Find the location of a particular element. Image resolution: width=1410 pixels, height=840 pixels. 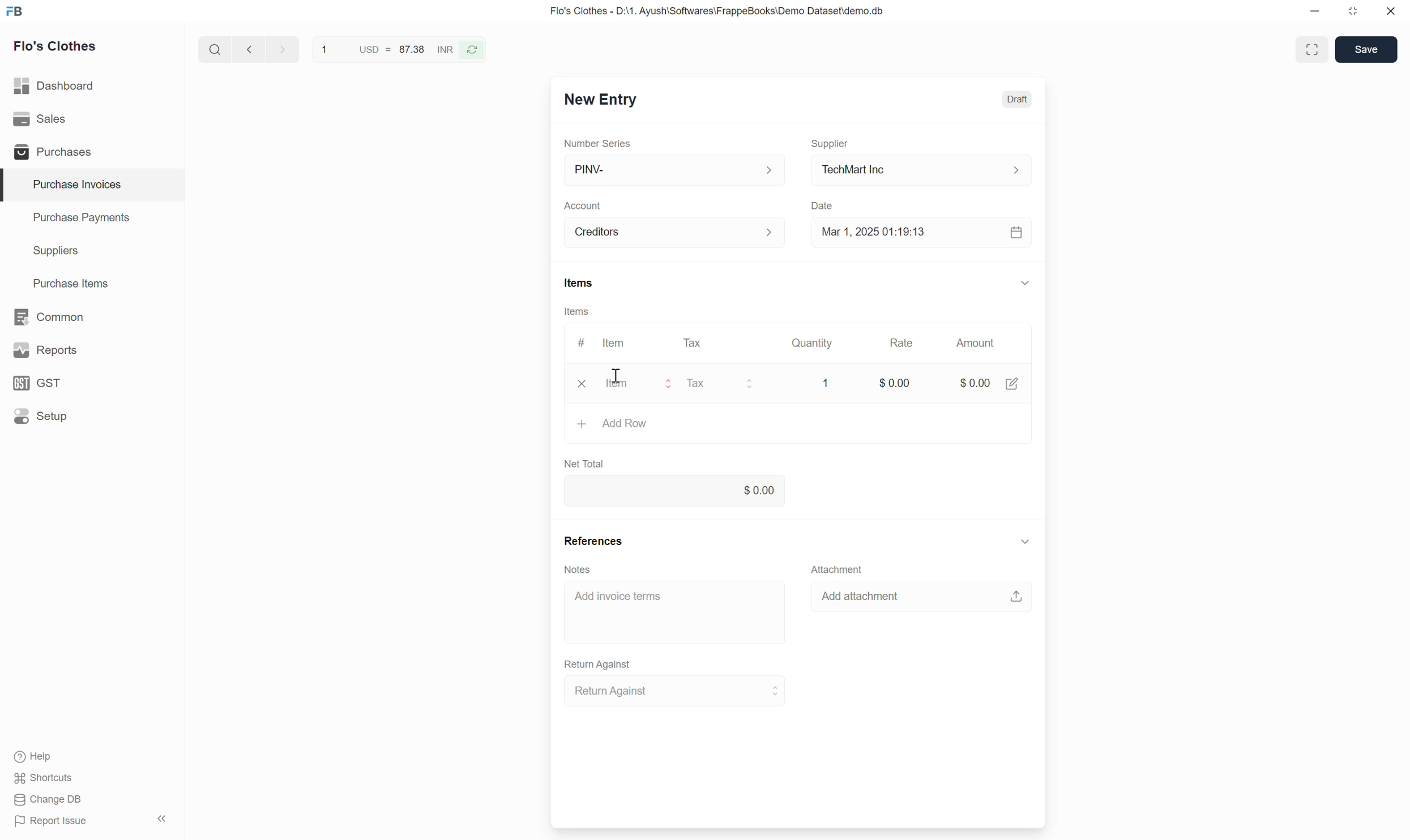

# is located at coordinates (580, 340).